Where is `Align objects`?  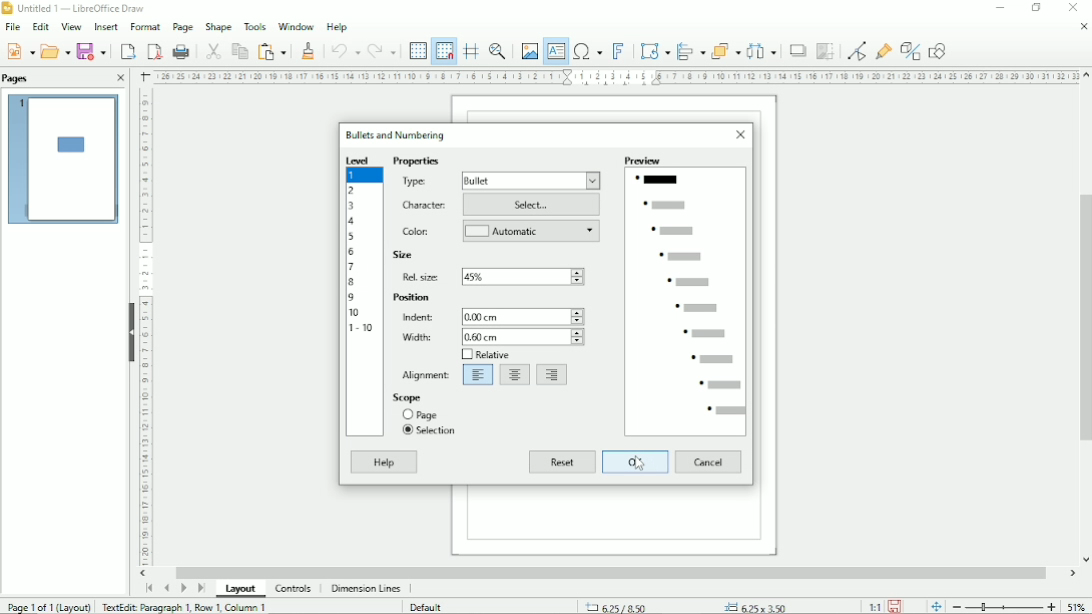 Align objects is located at coordinates (690, 49).